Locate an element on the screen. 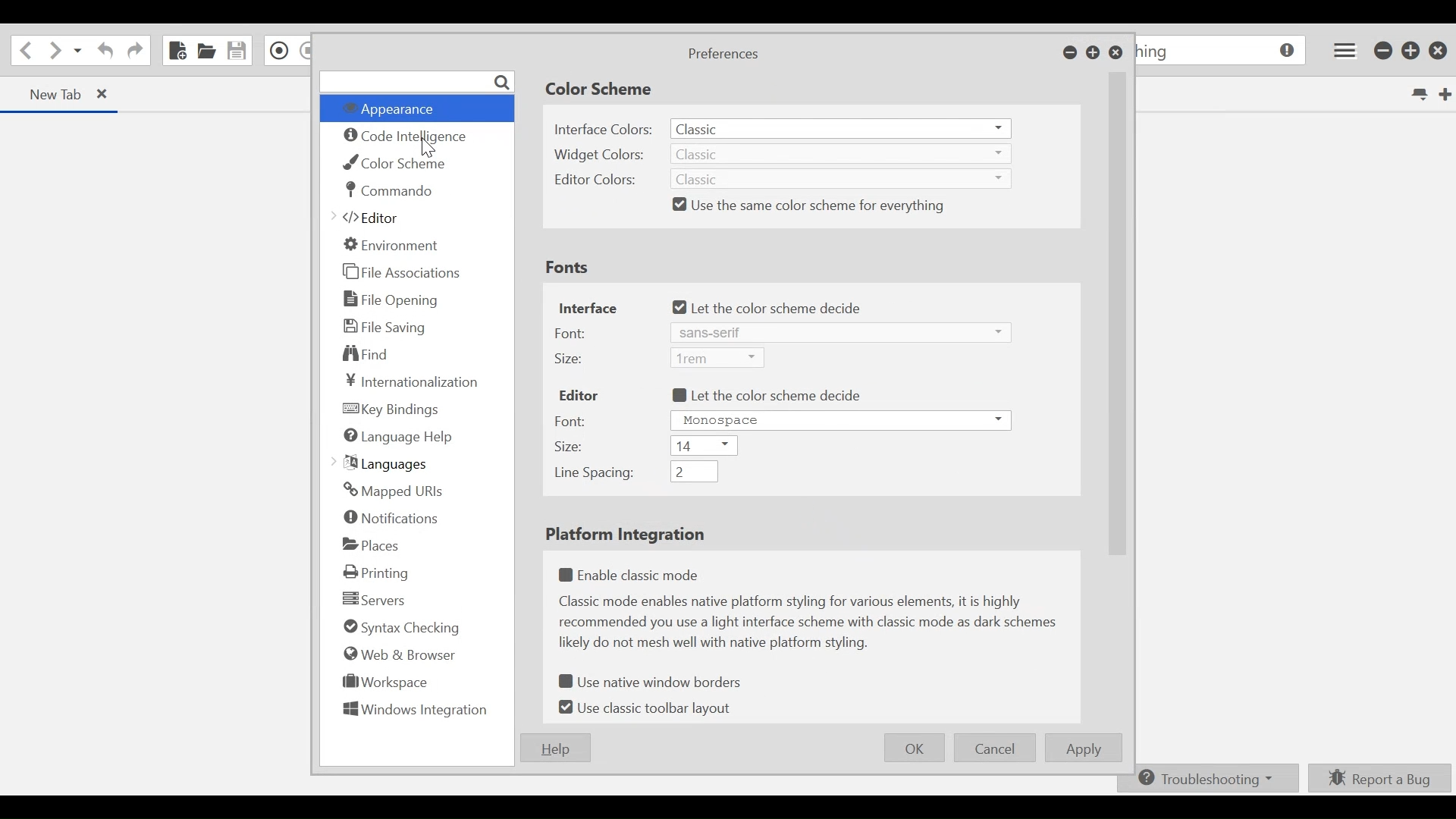 The height and width of the screenshot is (819, 1456). maximize is located at coordinates (1412, 52).